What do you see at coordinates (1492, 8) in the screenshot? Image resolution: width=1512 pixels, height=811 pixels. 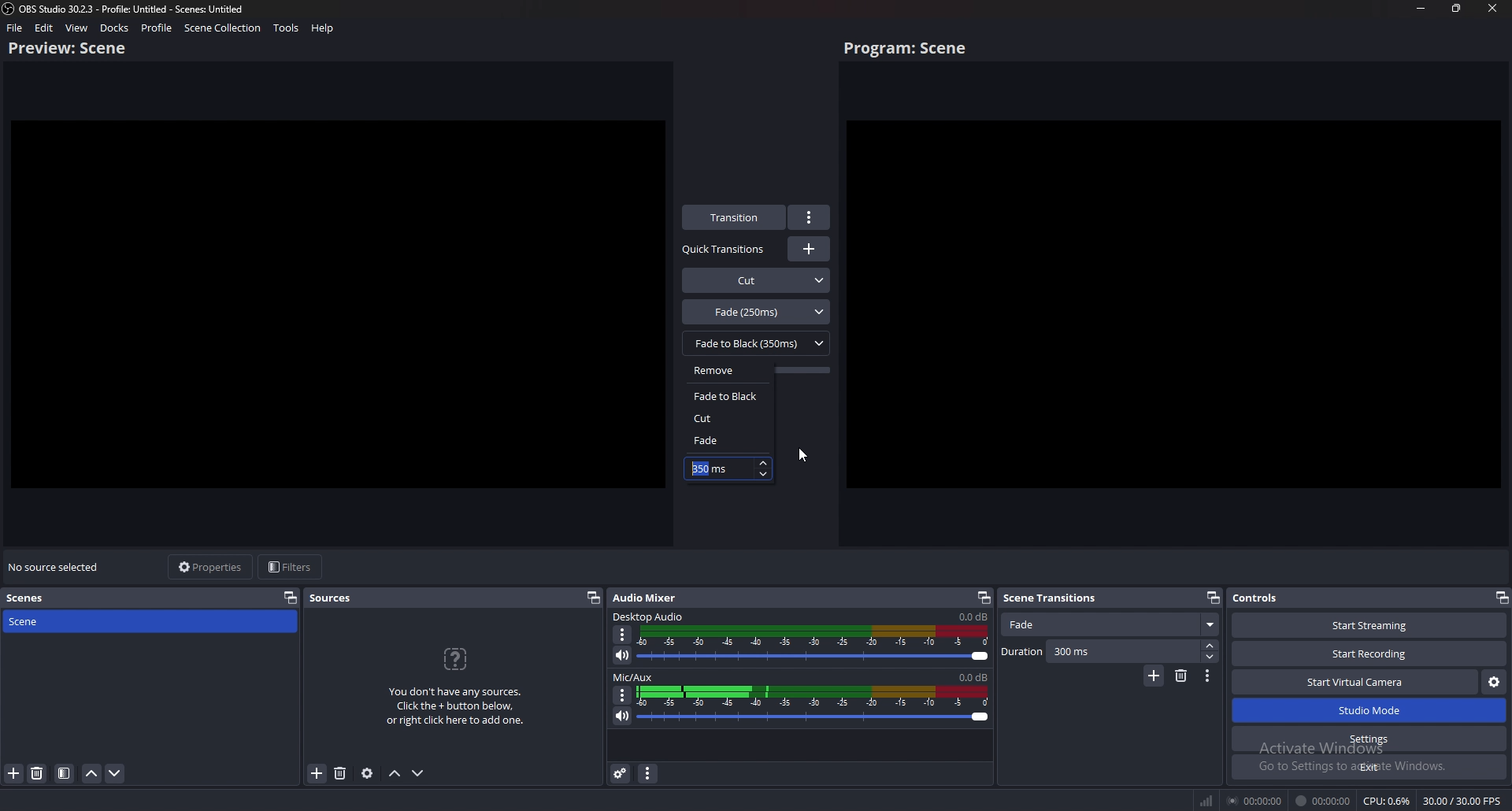 I see `close` at bounding box center [1492, 8].